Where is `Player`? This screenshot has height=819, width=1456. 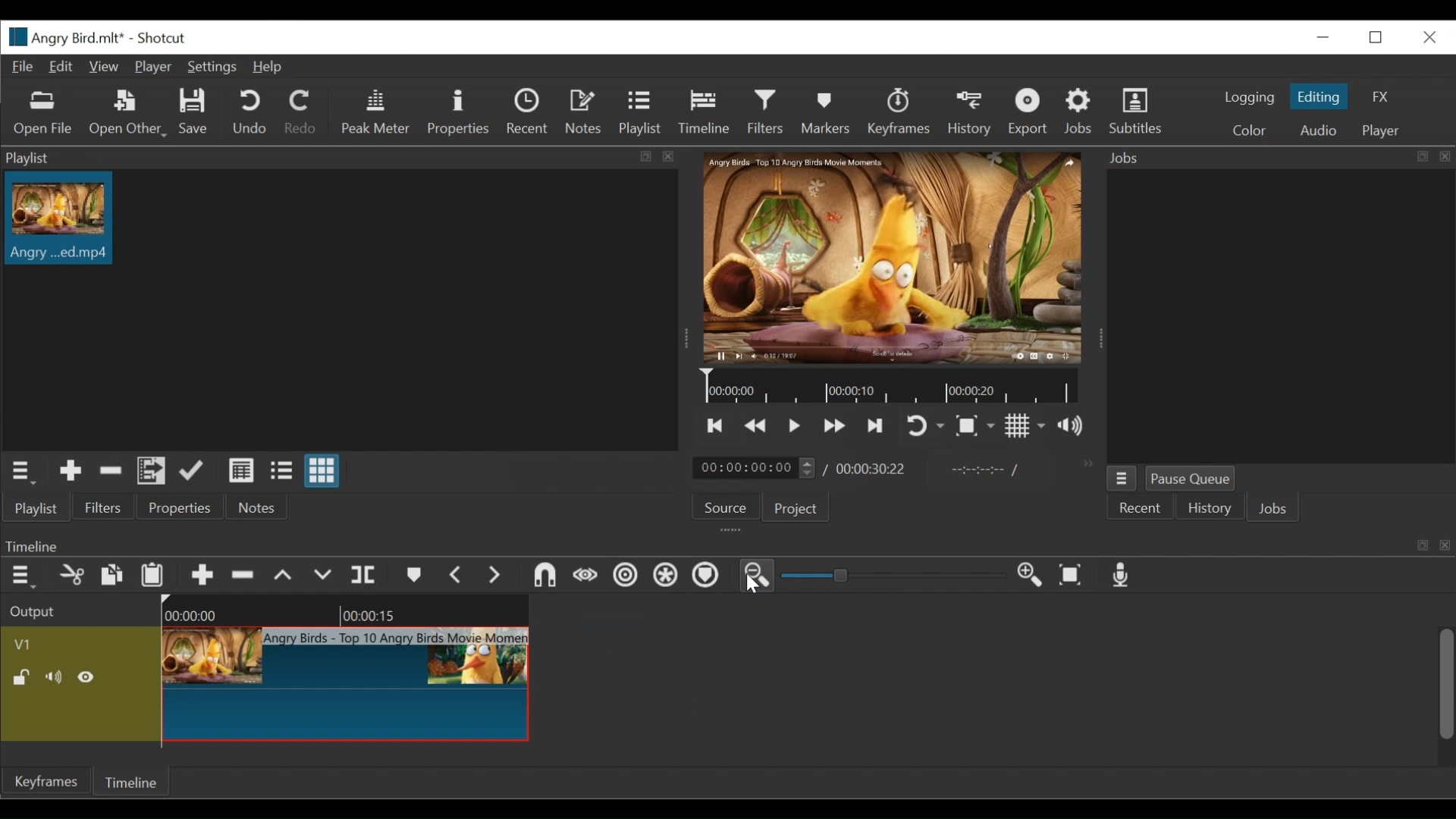
Player is located at coordinates (153, 67).